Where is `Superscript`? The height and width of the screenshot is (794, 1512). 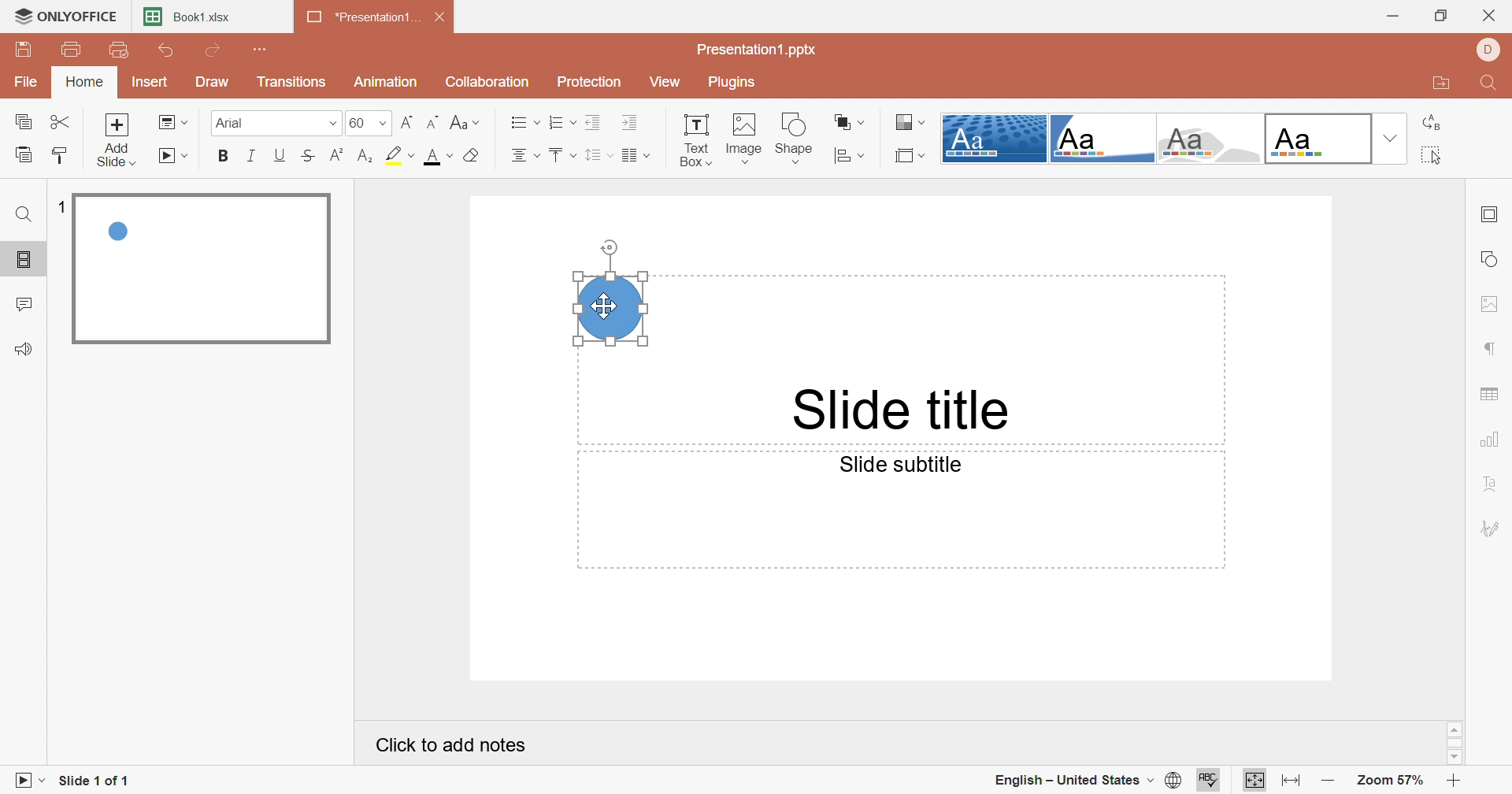
Superscript is located at coordinates (340, 155).